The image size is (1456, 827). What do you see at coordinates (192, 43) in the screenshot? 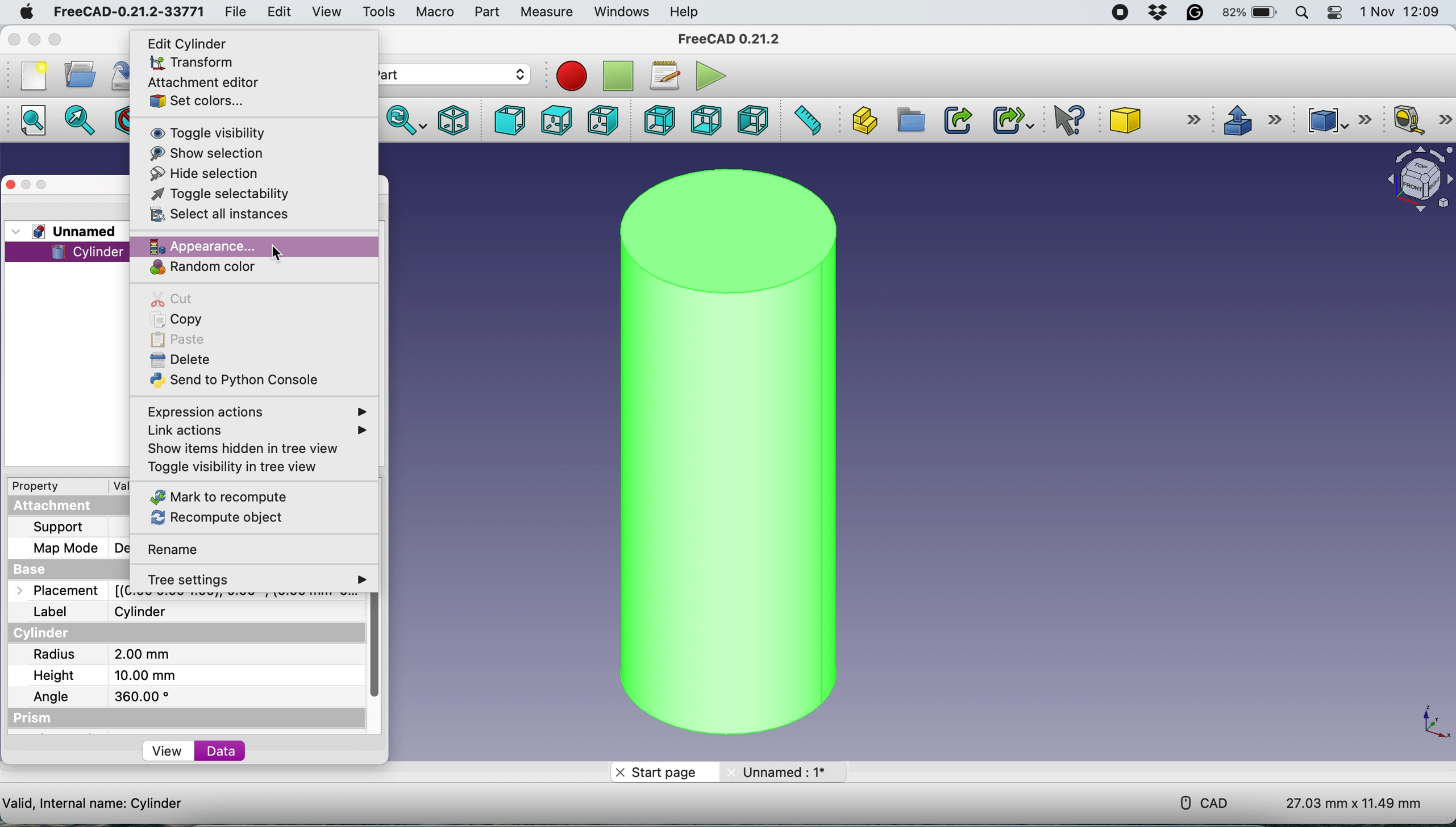
I see `edit cylinder` at bounding box center [192, 43].